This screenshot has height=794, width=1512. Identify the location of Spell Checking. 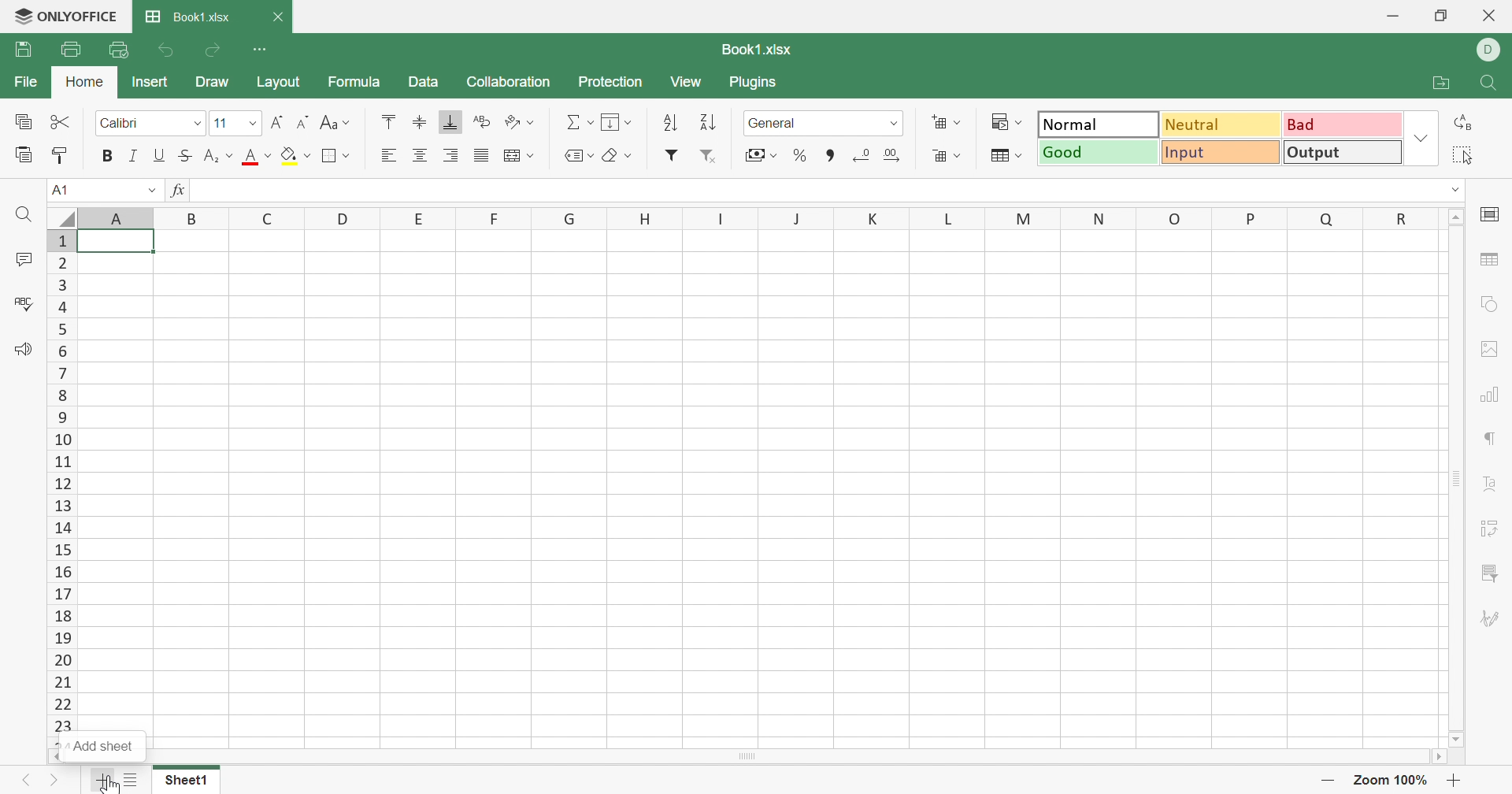
(24, 302).